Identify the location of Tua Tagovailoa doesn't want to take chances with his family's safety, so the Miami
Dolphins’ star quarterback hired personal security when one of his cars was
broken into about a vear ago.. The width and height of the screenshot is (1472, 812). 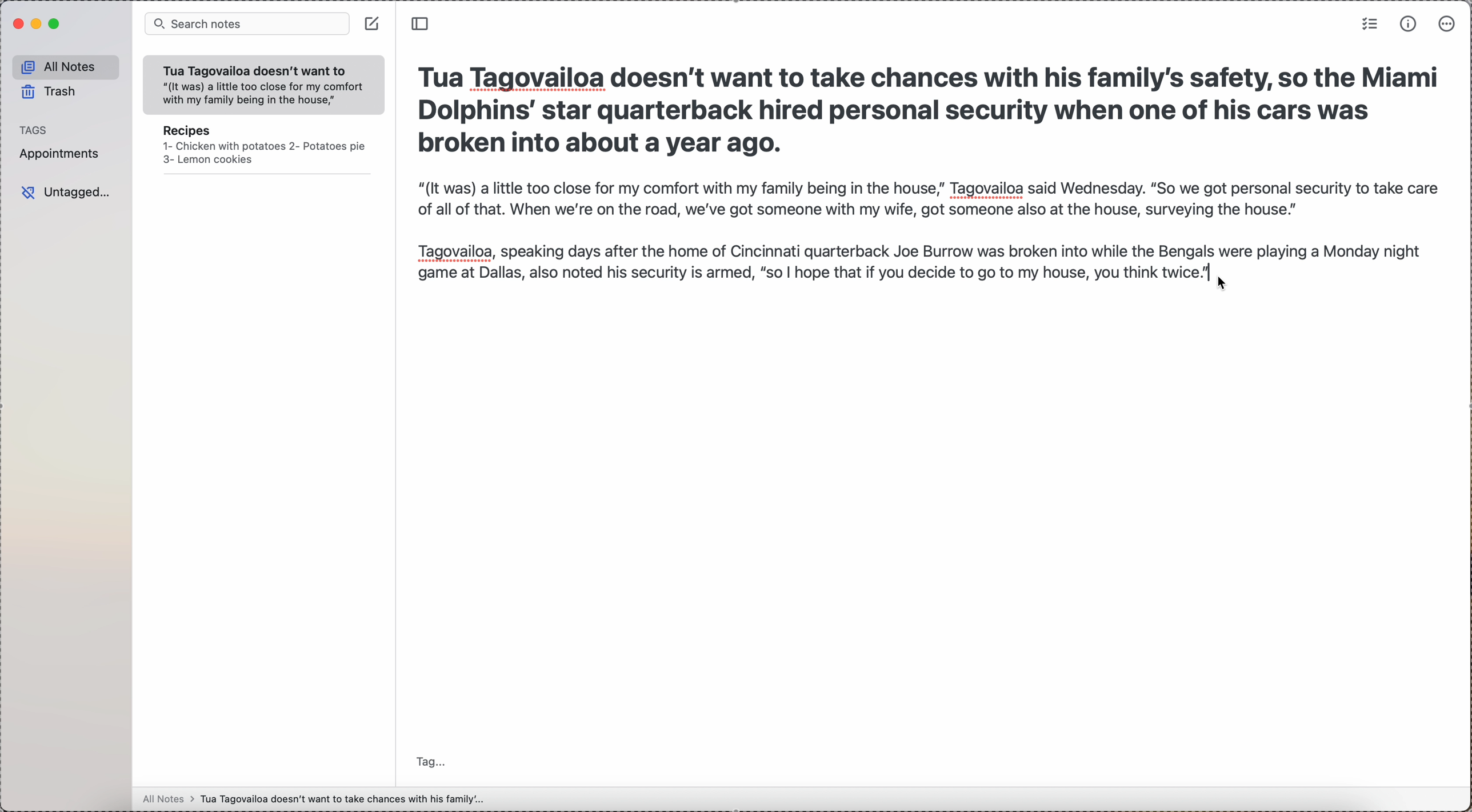
(928, 108).